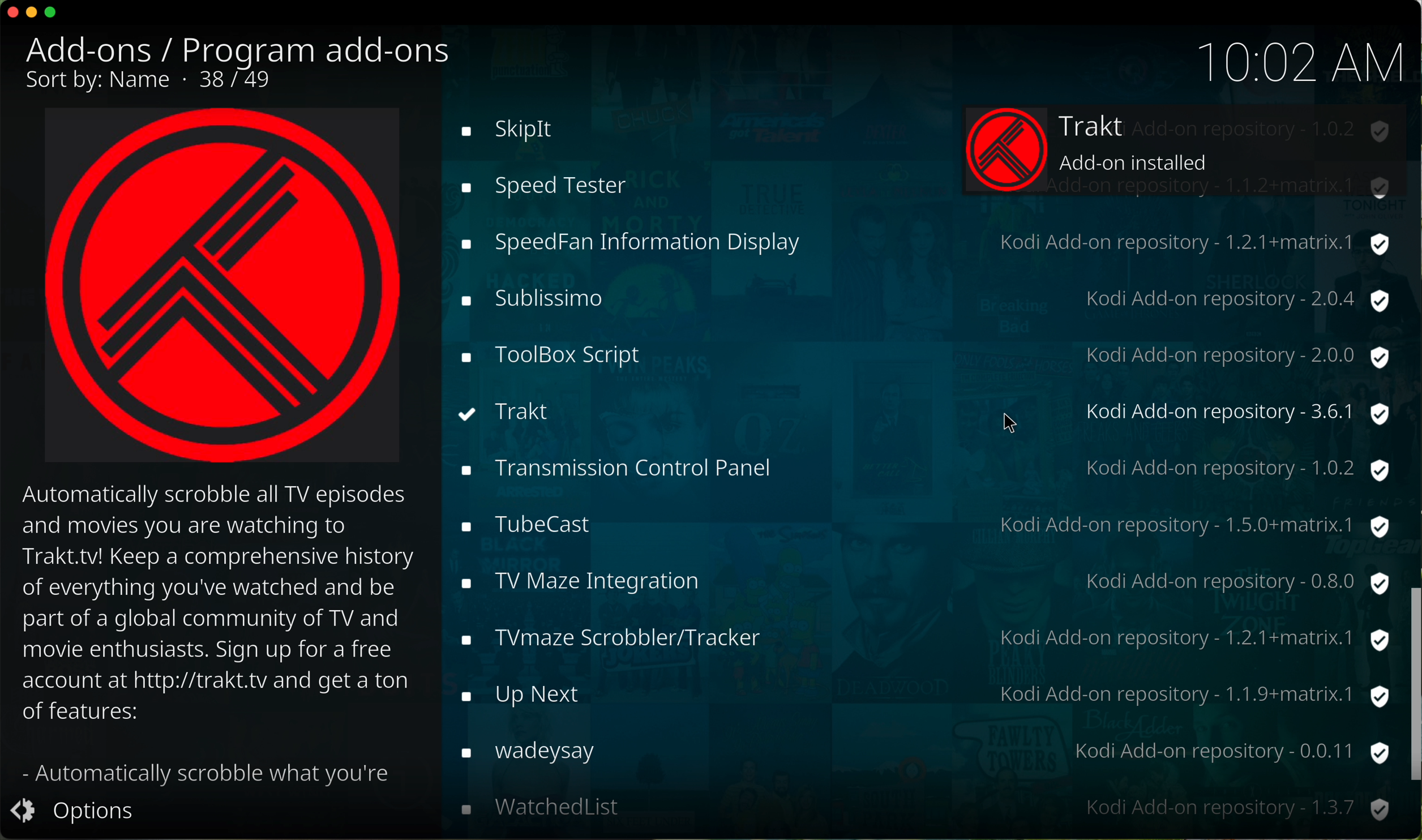  What do you see at coordinates (509, 415) in the screenshot?
I see `Trakt installed` at bounding box center [509, 415].